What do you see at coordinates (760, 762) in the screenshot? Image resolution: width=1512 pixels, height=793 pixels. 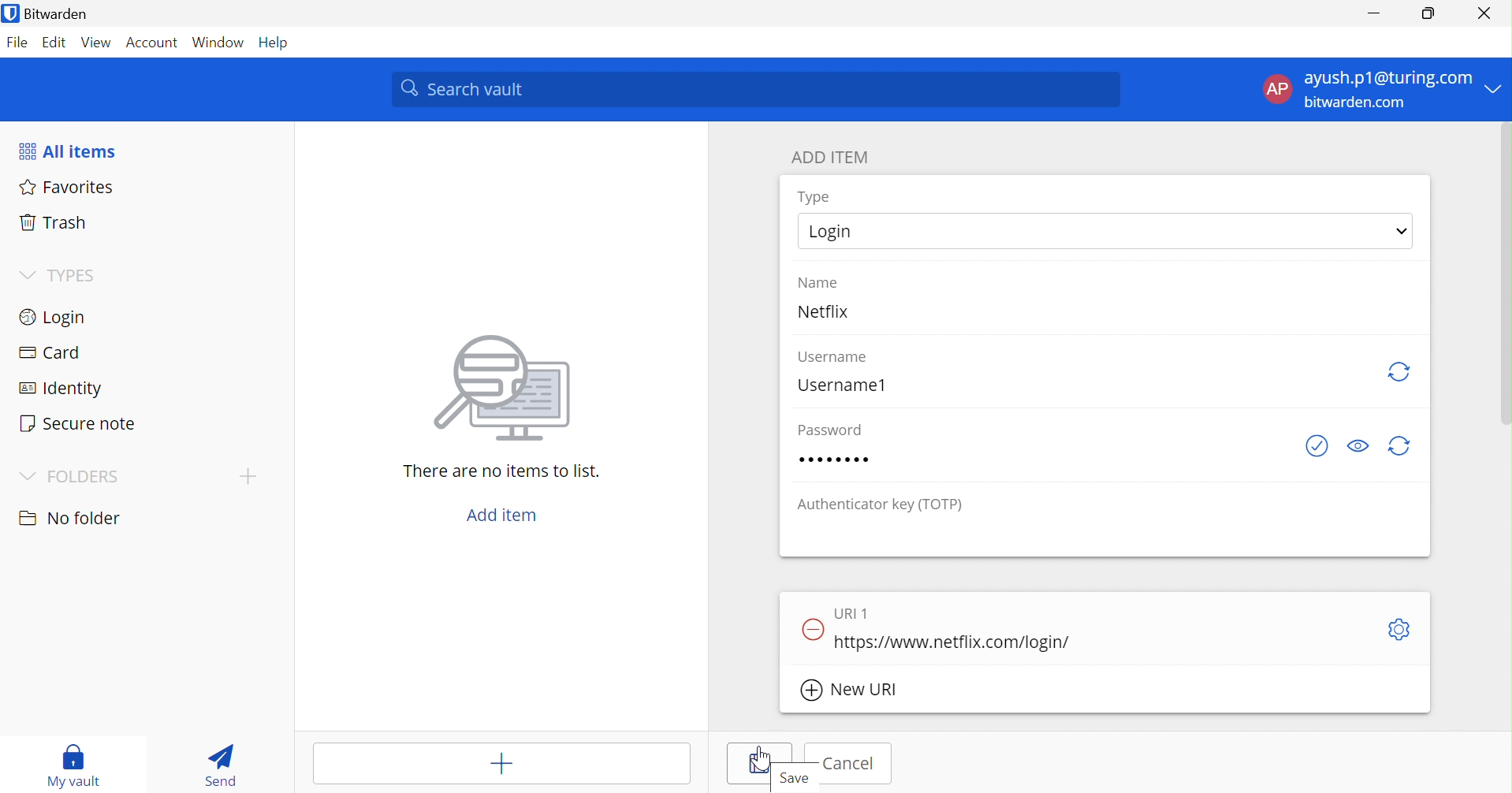 I see `Save` at bounding box center [760, 762].